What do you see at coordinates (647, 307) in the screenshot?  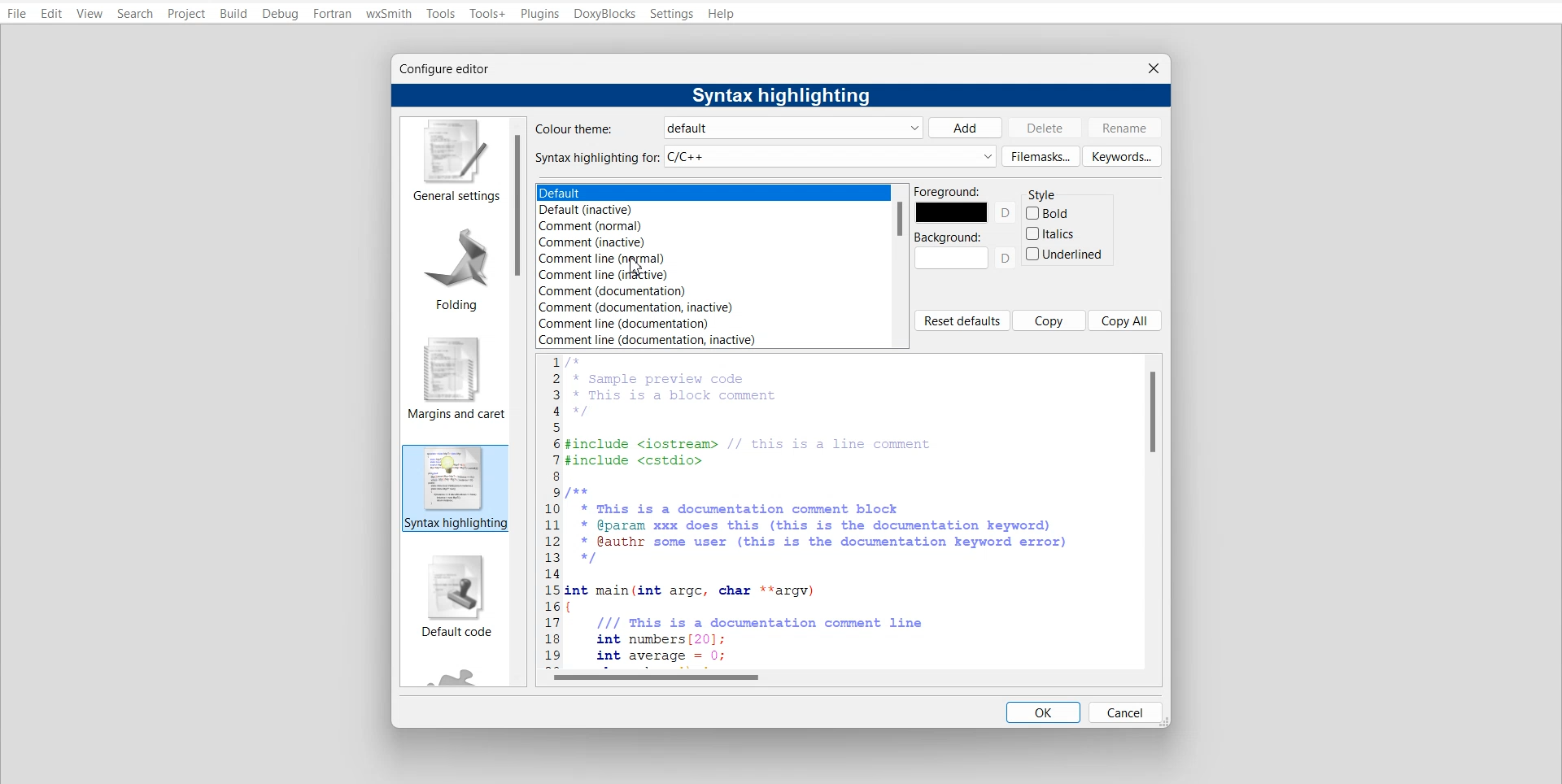 I see `|Comment (documentation, inactive)` at bounding box center [647, 307].